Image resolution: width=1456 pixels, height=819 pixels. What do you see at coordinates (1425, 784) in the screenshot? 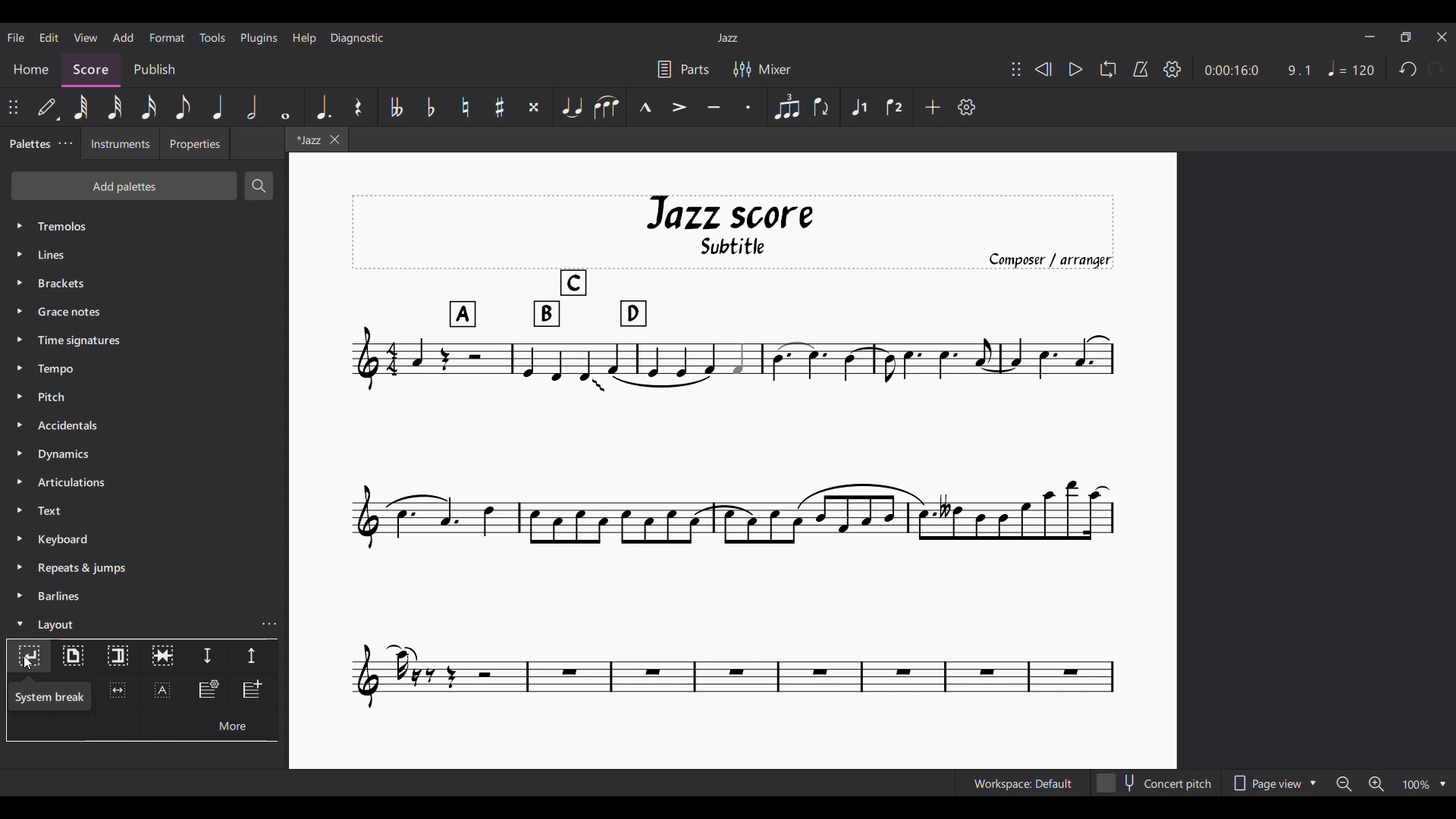
I see `Zoom options` at bounding box center [1425, 784].